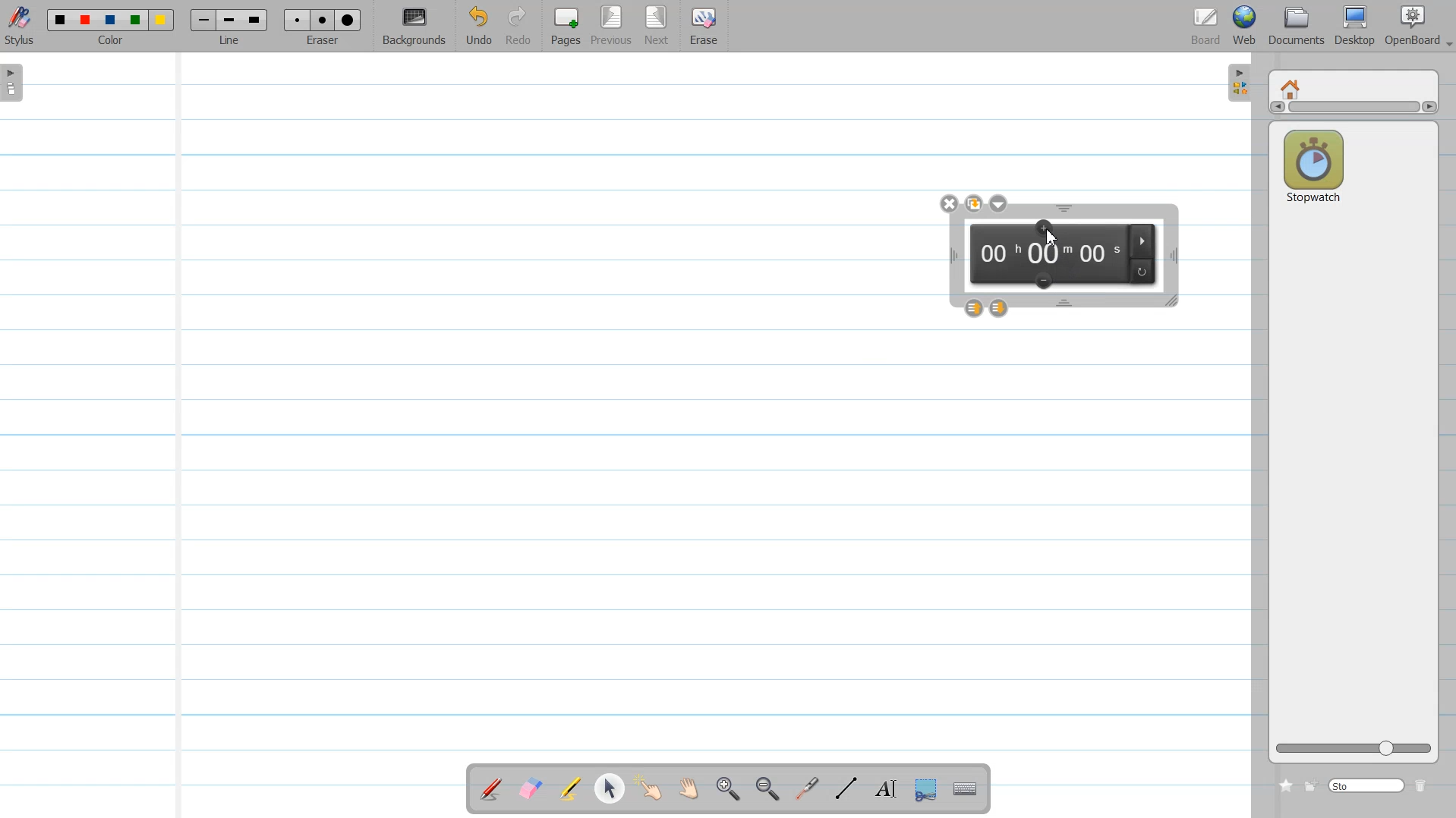  Describe the element at coordinates (729, 789) in the screenshot. I see `Zoom in` at that location.